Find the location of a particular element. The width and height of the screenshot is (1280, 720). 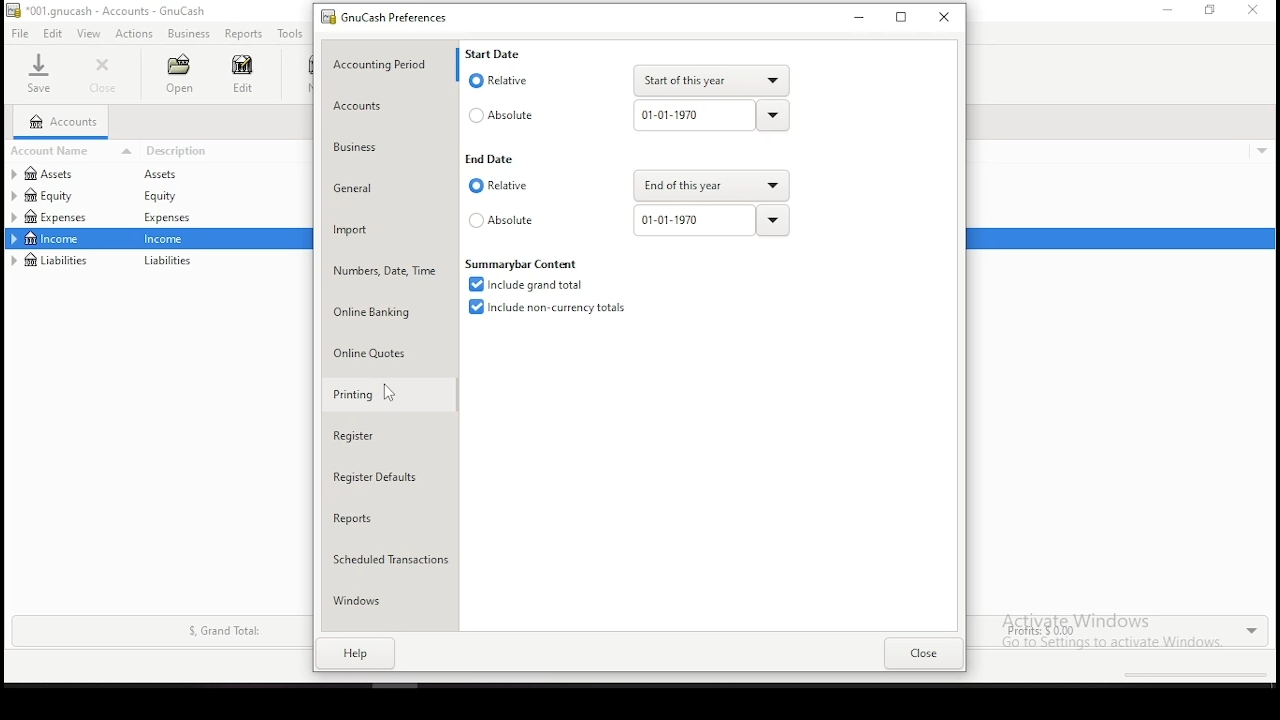

number, date, time is located at coordinates (385, 268).